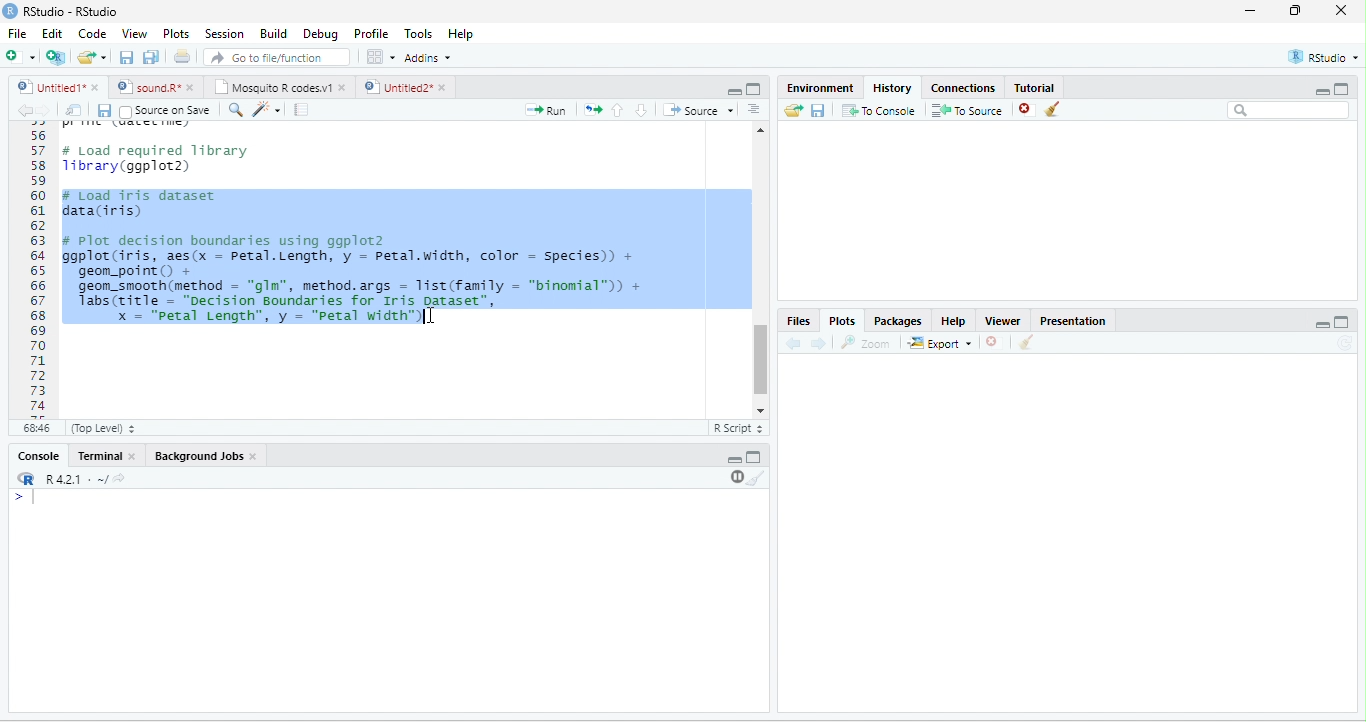  I want to click on Untitled2, so click(396, 87).